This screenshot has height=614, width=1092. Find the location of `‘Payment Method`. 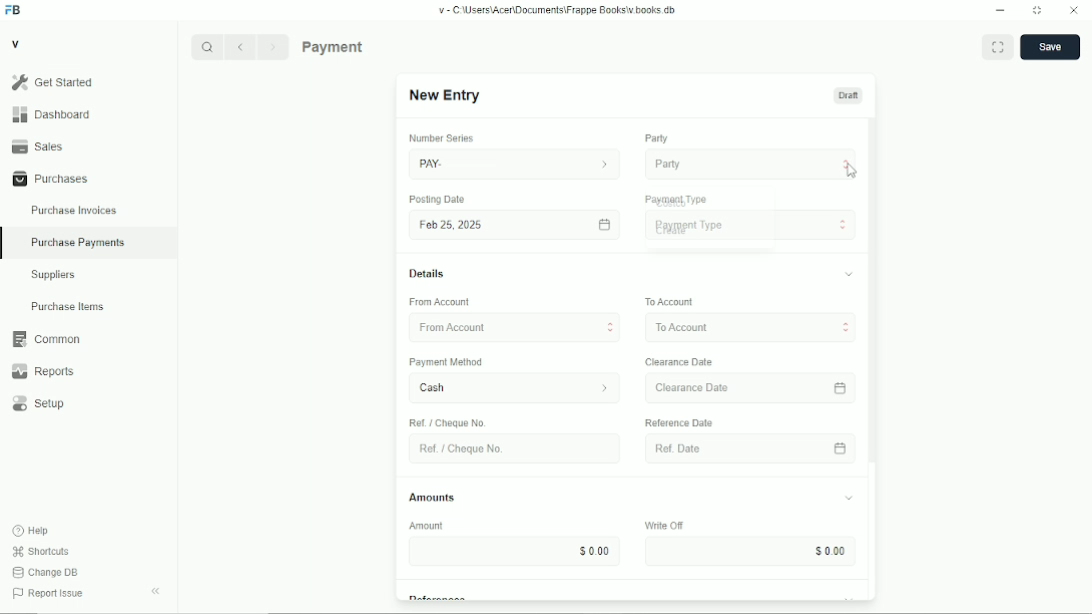

‘Payment Method is located at coordinates (454, 364).